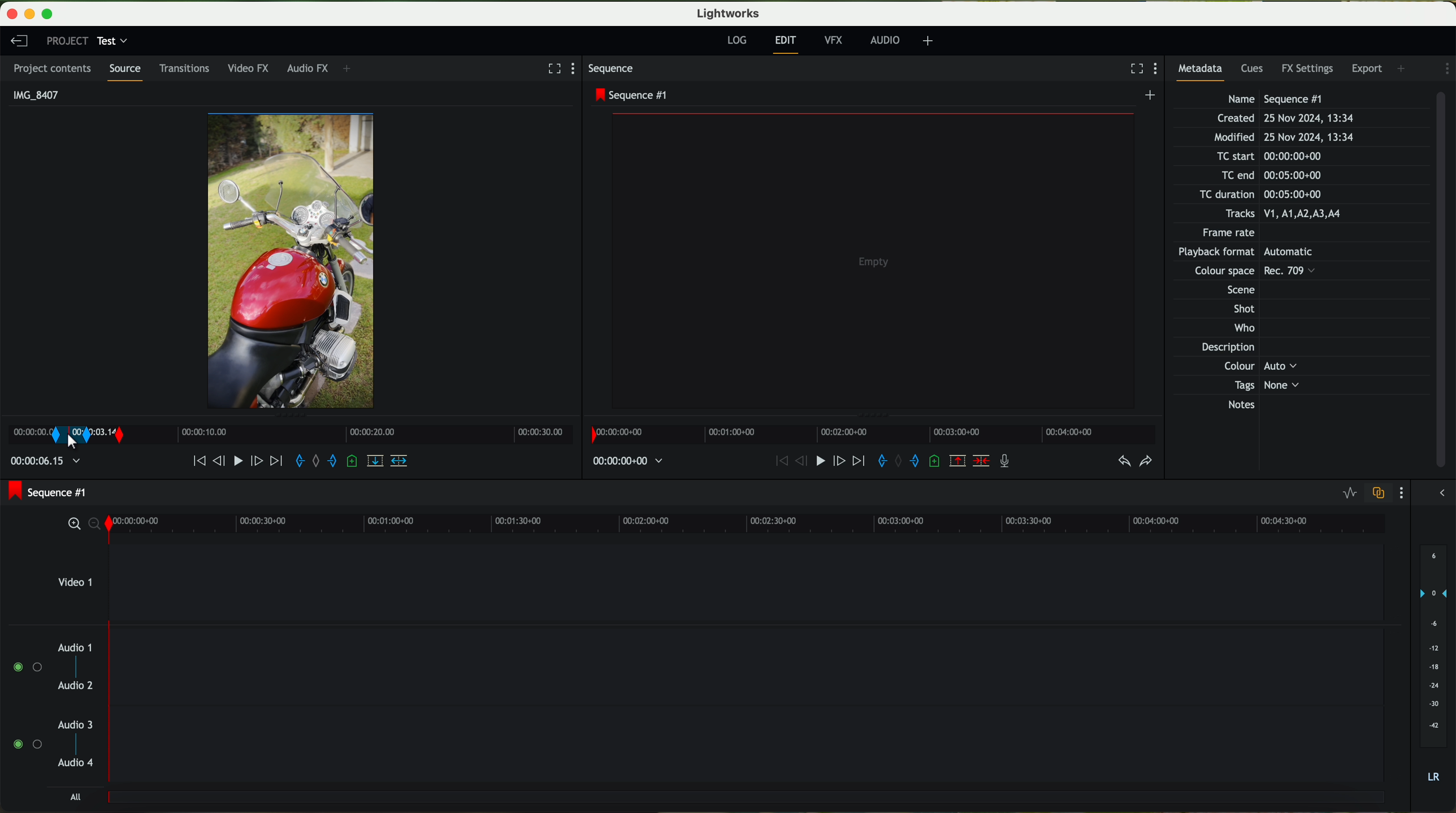 Image resolution: width=1456 pixels, height=813 pixels. Describe the element at coordinates (1242, 309) in the screenshot. I see `Shot` at that location.